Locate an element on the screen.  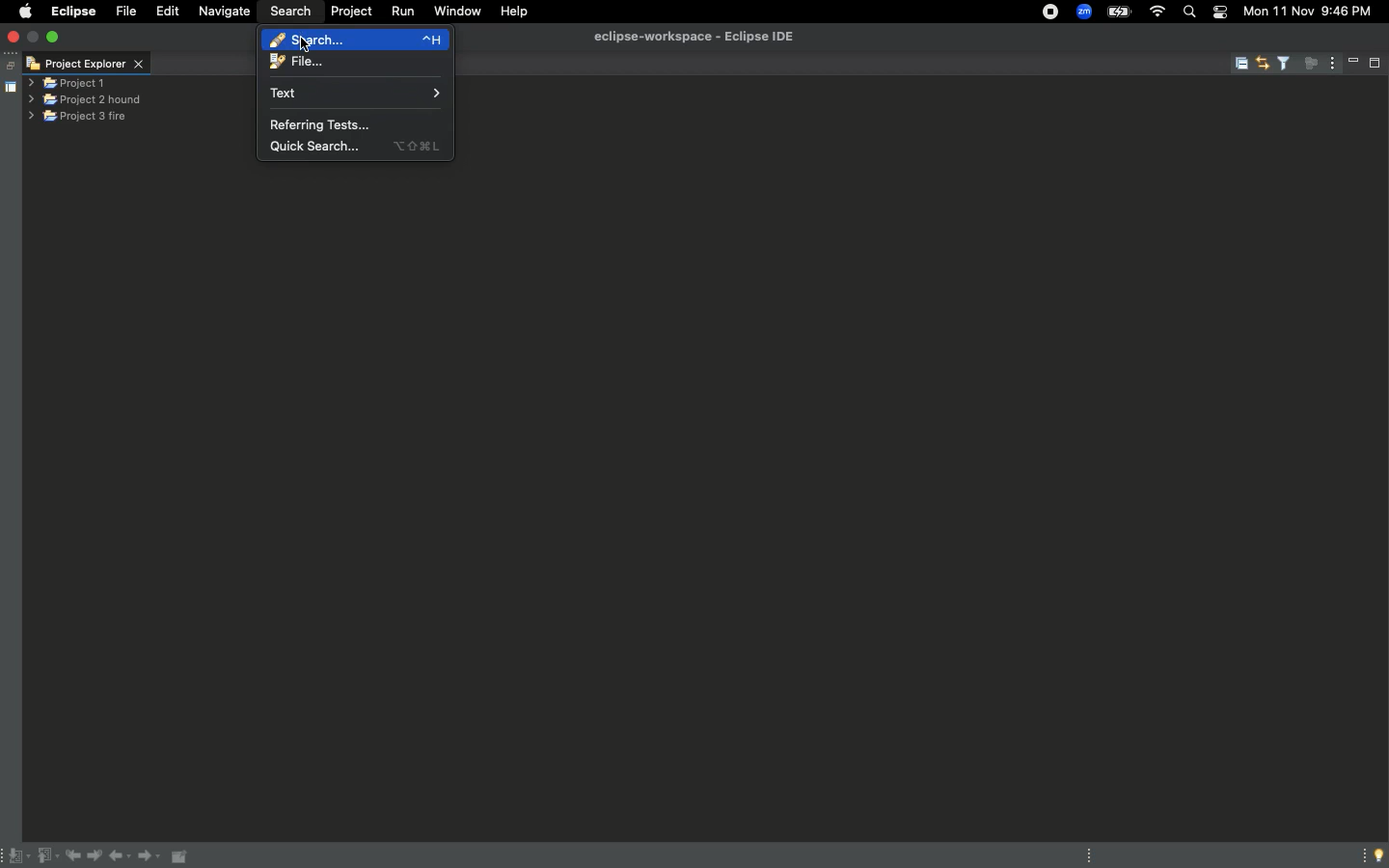
Run is located at coordinates (401, 12).